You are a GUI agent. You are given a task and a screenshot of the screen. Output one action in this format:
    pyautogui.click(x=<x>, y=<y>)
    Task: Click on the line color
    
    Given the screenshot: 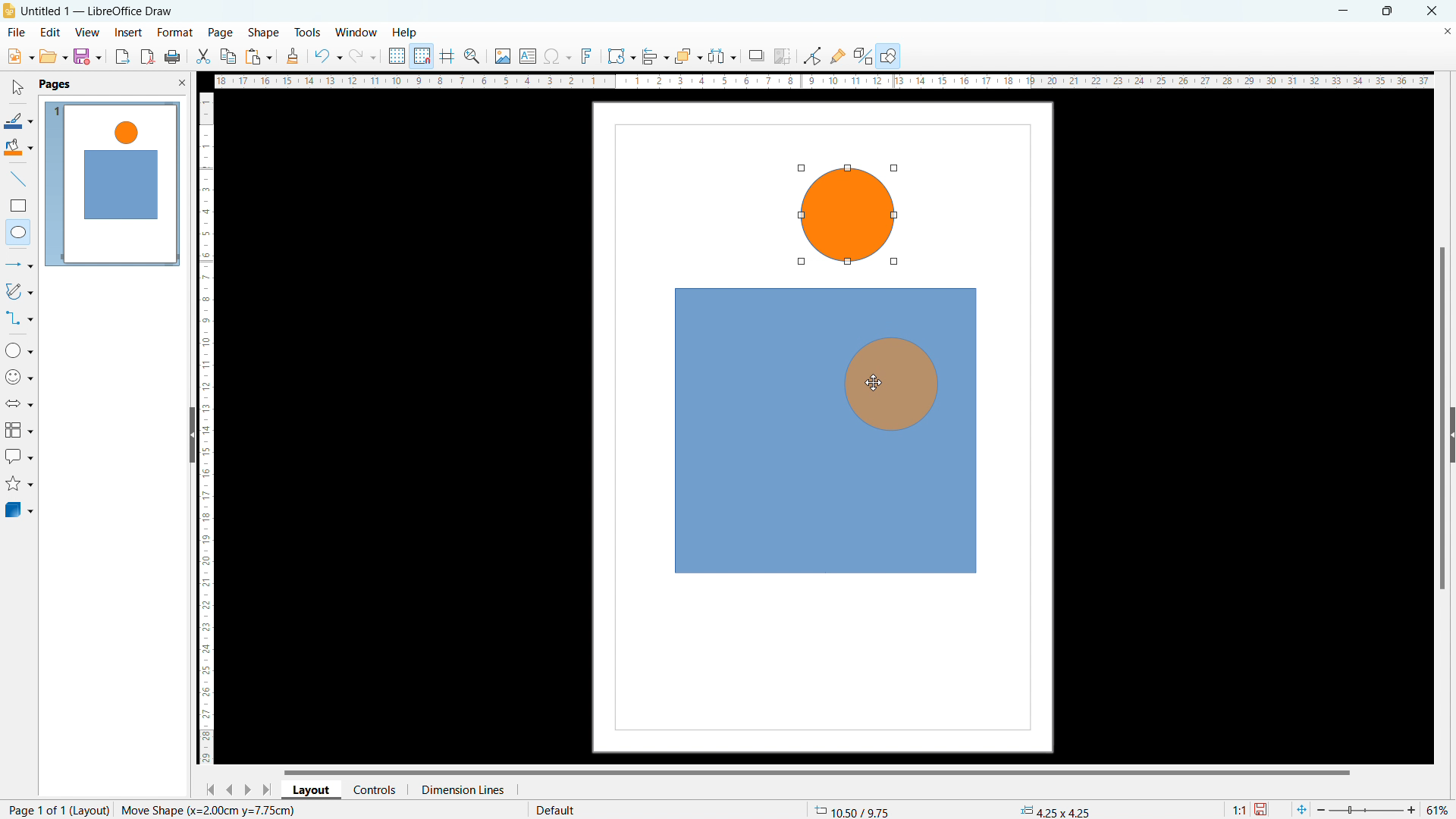 What is the action you would take?
    pyautogui.click(x=18, y=121)
    